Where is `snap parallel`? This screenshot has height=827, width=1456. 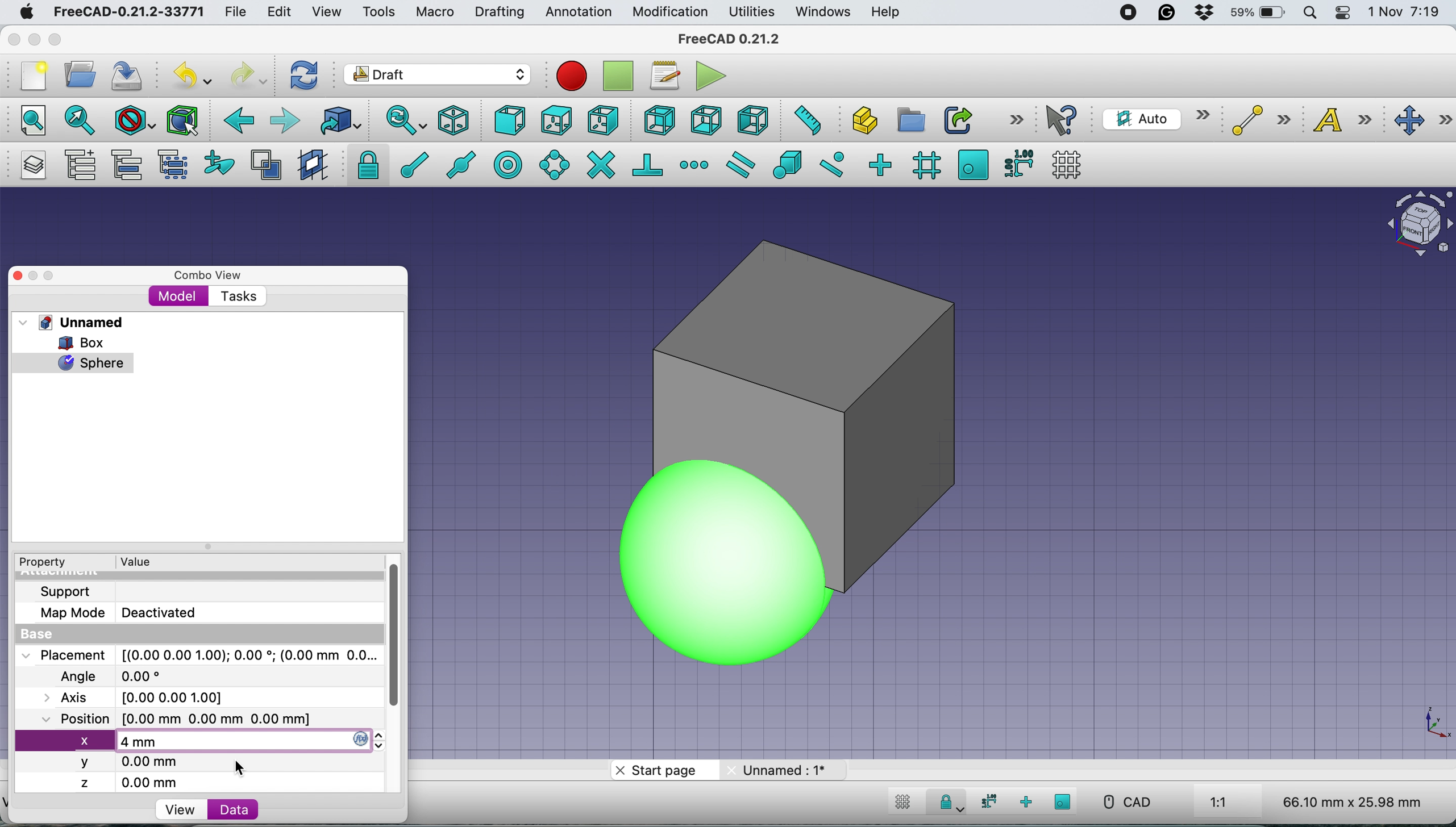 snap parallel is located at coordinates (738, 165).